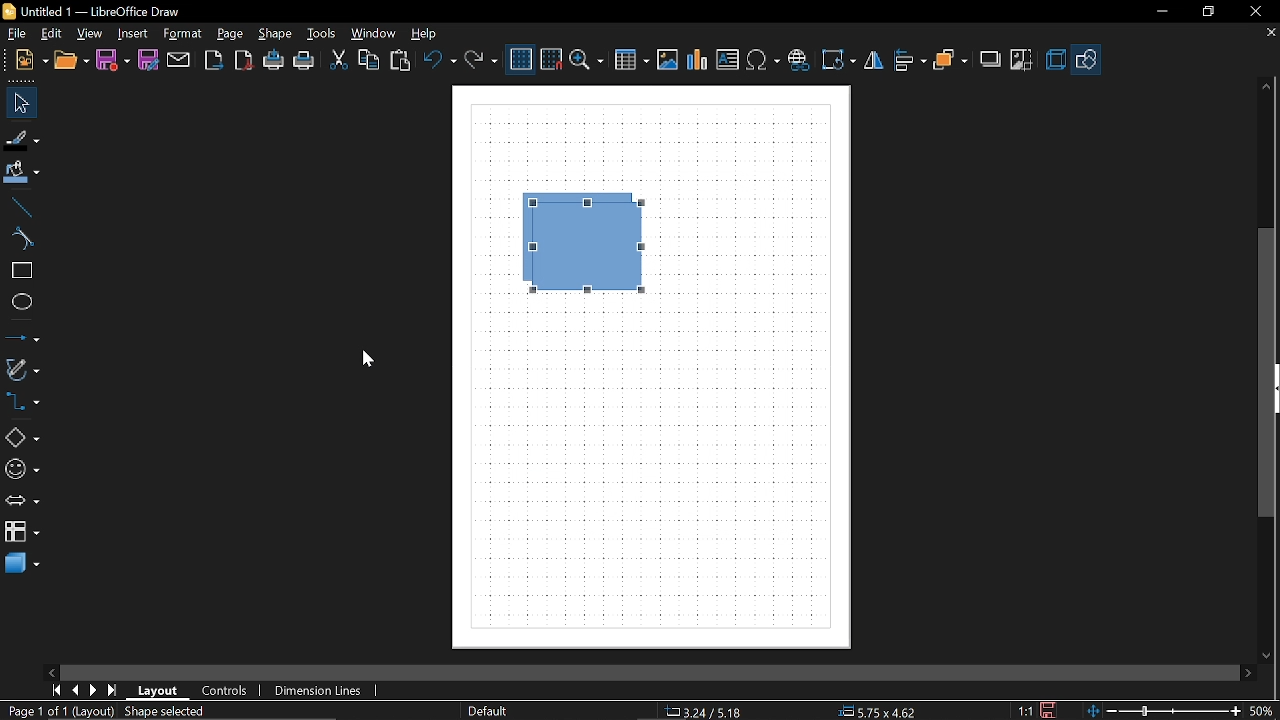 The height and width of the screenshot is (720, 1280). Describe the element at coordinates (305, 62) in the screenshot. I see `Print` at that location.